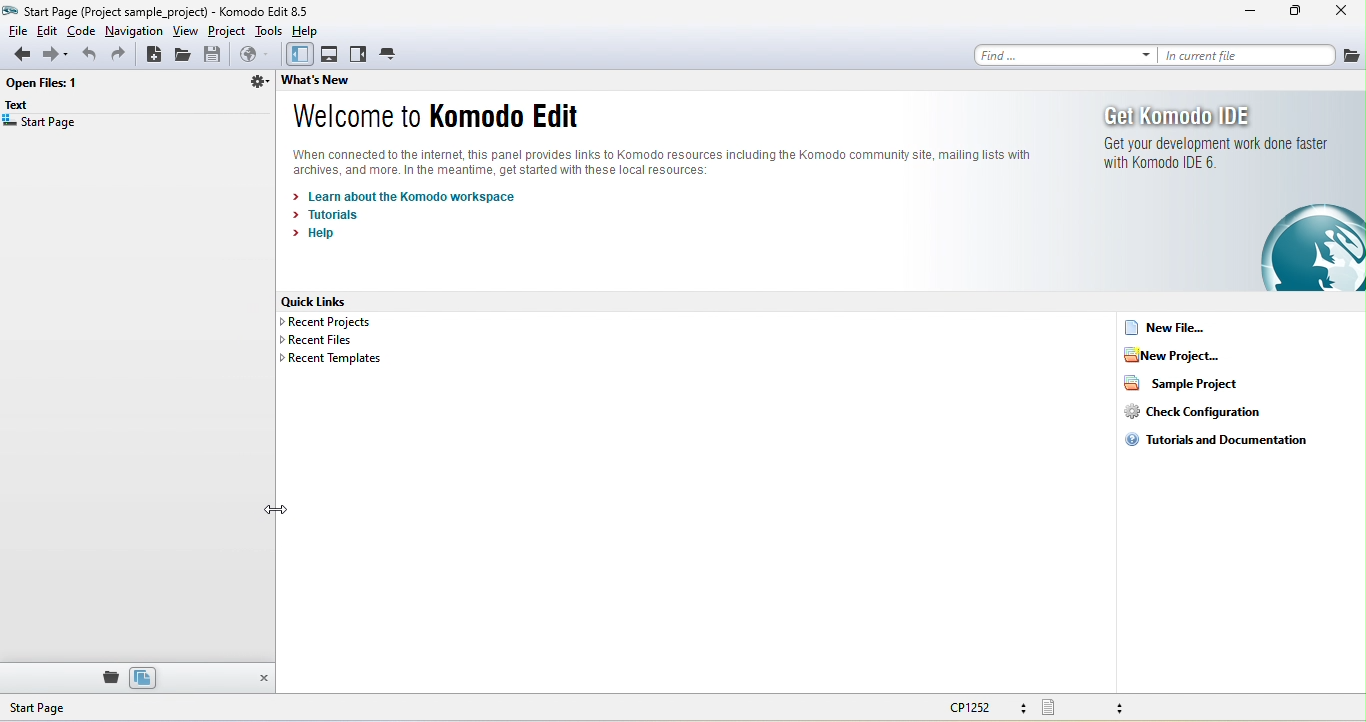 This screenshot has width=1366, height=722. What do you see at coordinates (257, 85) in the screenshot?
I see `directory related function` at bounding box center [257, 85].